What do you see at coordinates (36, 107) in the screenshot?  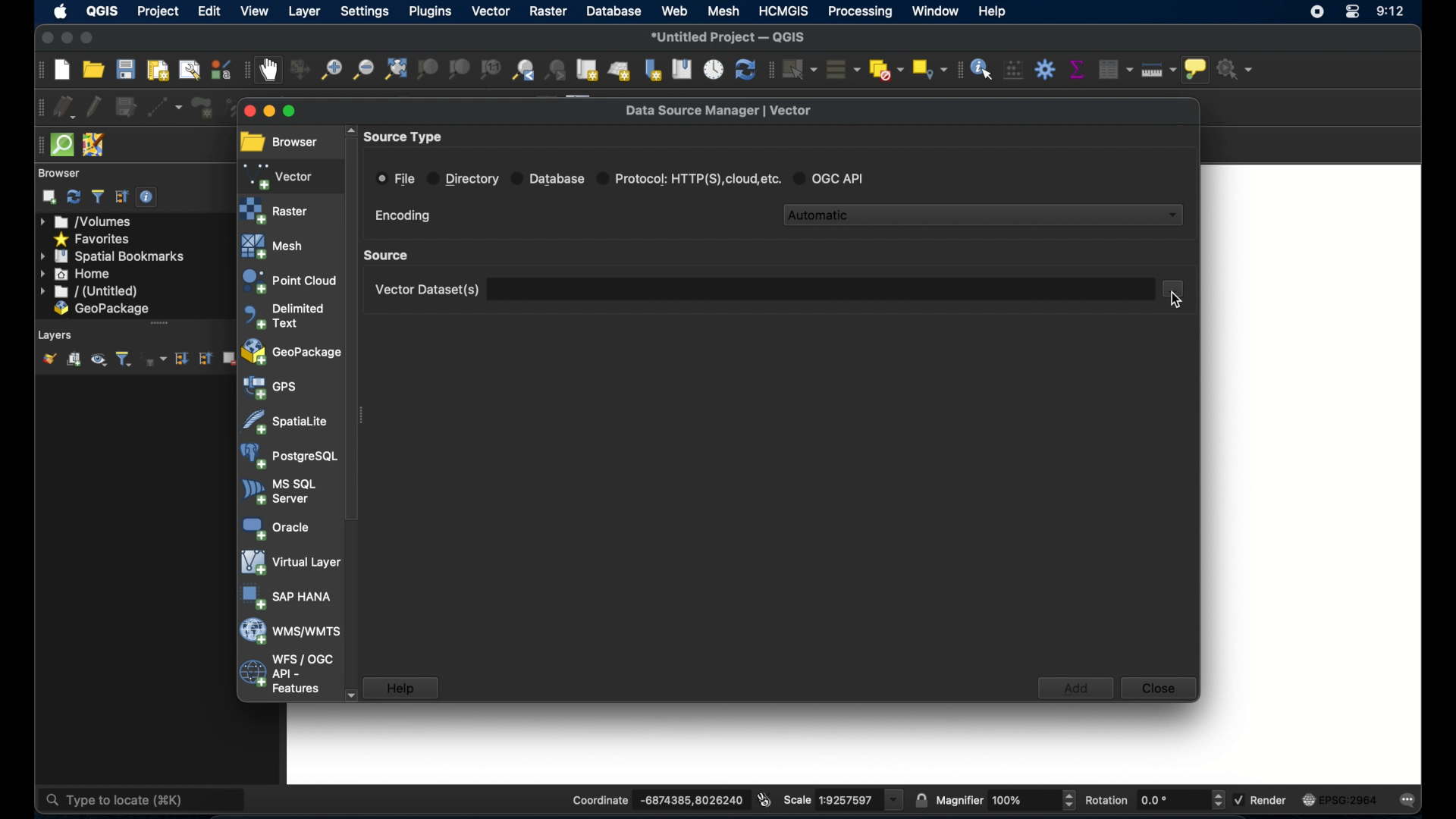 I see `digitizing toolbar` at bounding box center [36, 107].